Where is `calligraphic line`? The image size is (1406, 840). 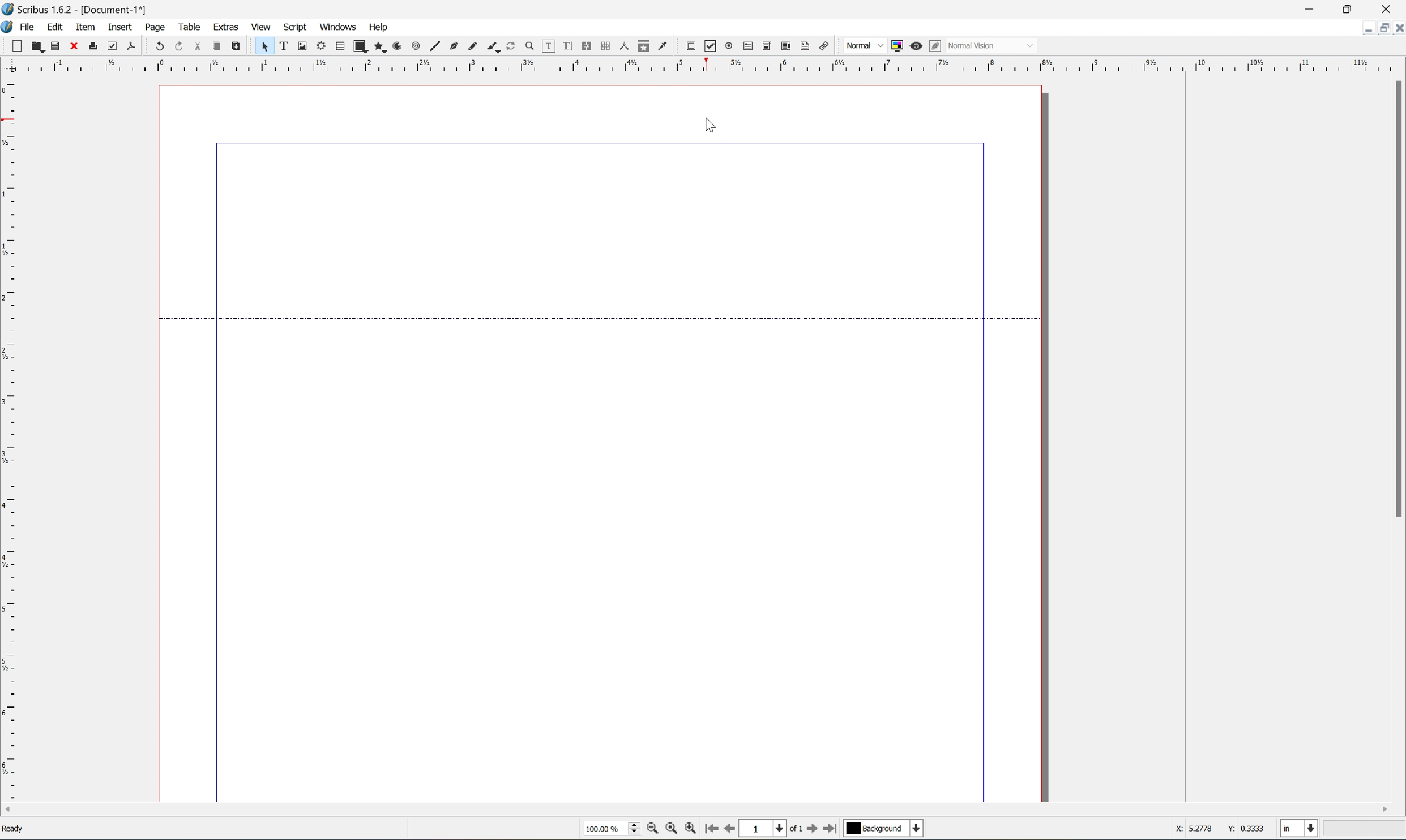
calligraphic line is located at coordinates (494, 46).